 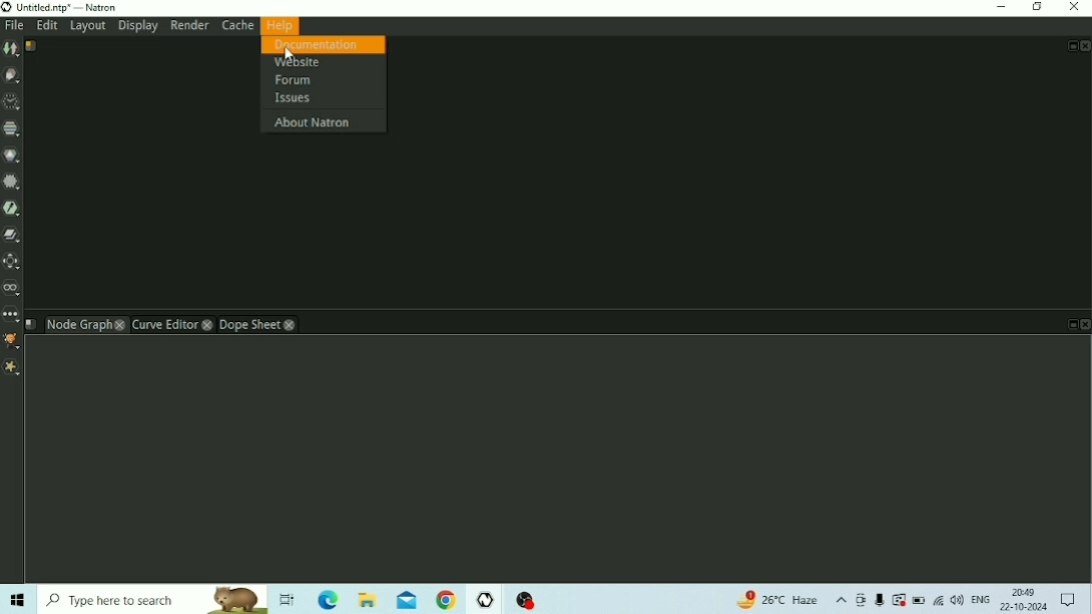 I want to click on Website, so click(x=296, y=64).